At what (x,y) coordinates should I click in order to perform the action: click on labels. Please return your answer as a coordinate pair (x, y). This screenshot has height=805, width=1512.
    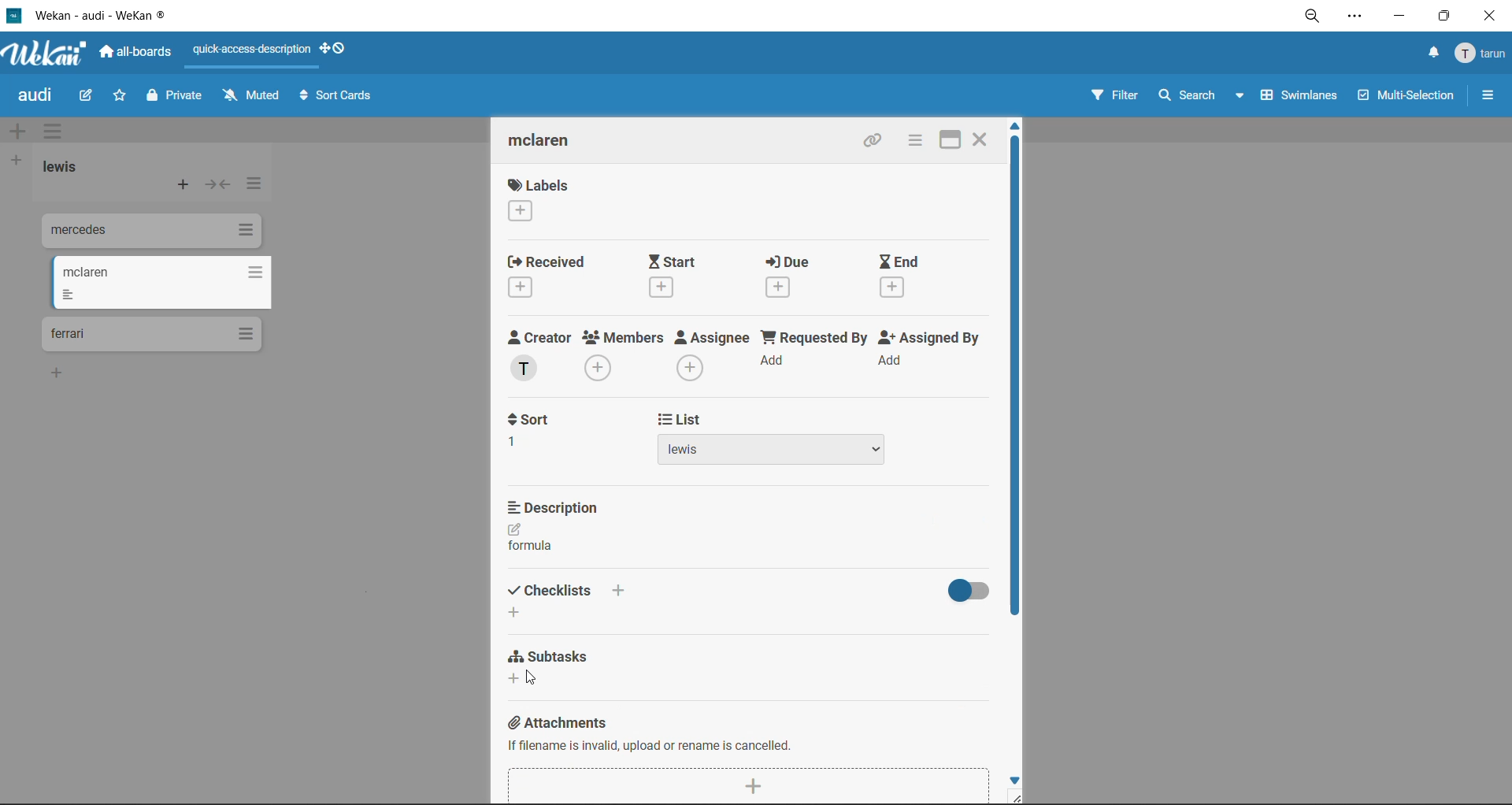
    Looking at the image, I should click on (539, 199).